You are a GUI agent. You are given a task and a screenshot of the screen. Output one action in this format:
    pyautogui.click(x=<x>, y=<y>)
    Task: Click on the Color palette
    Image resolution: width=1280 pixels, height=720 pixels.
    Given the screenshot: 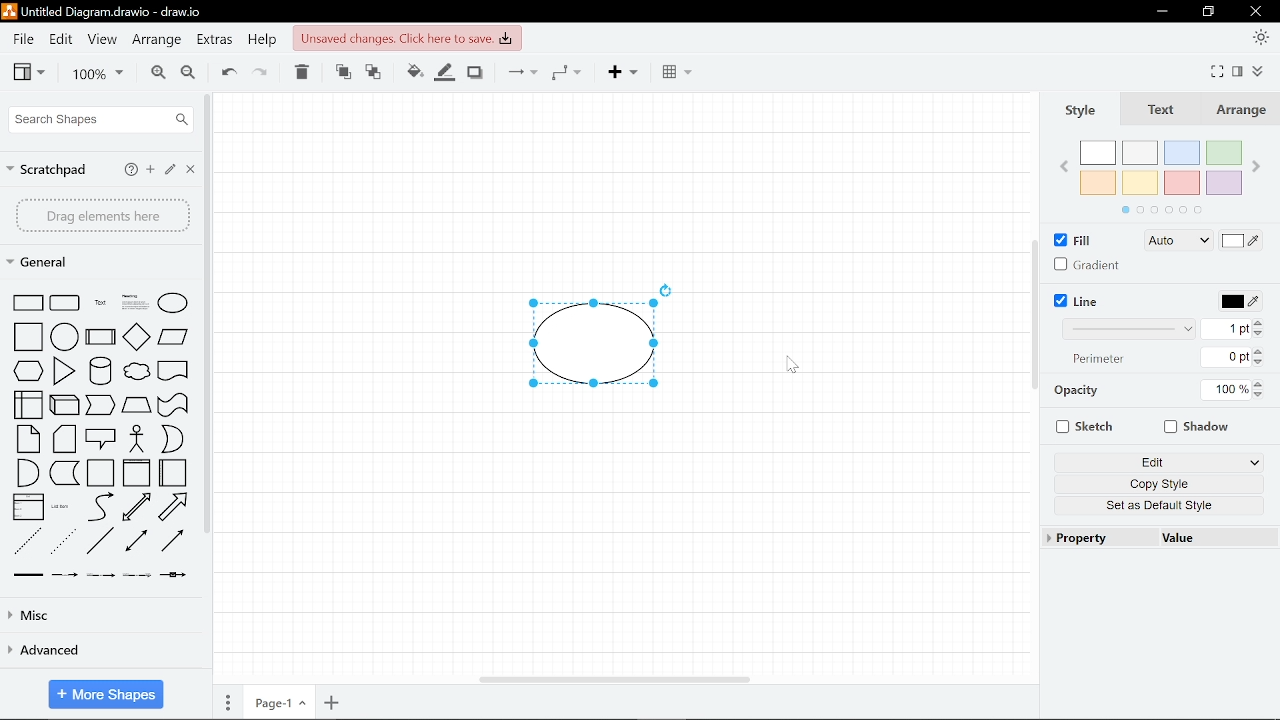 What is the action you would take?
    pyautogui.click(x=1162, y=167)
    